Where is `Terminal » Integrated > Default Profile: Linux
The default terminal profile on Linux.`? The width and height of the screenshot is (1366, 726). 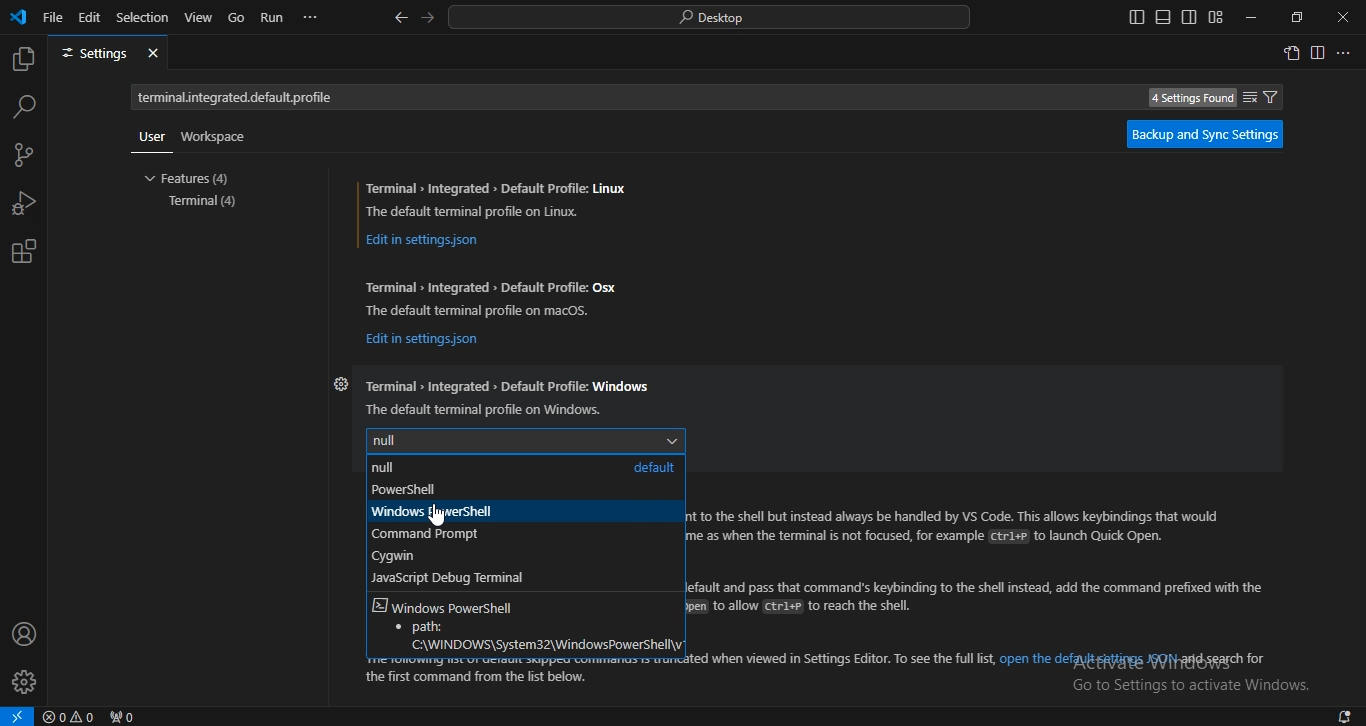 Terminal » Integrated > Default Profile: Linux
The default terminal profile on Linux. is located at coordinates (499, 197).